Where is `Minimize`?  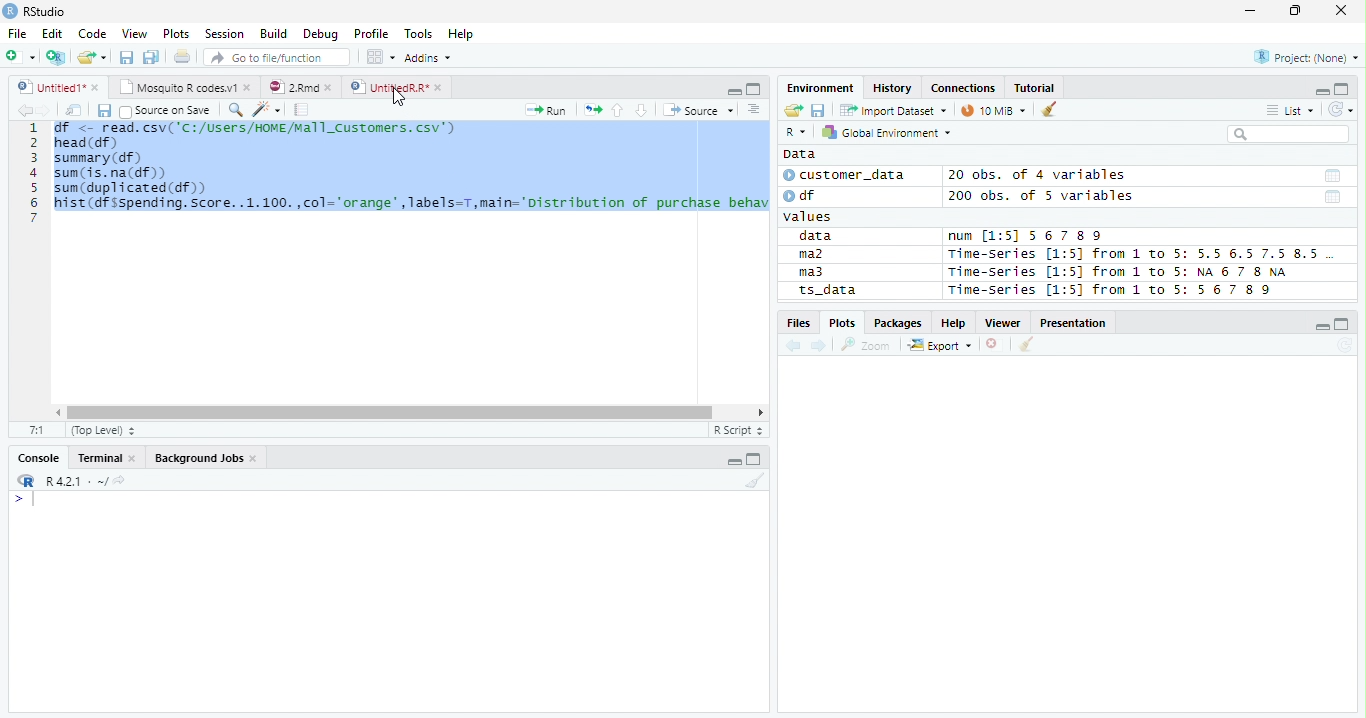
Minimize is located at coordinates (1323, 328).